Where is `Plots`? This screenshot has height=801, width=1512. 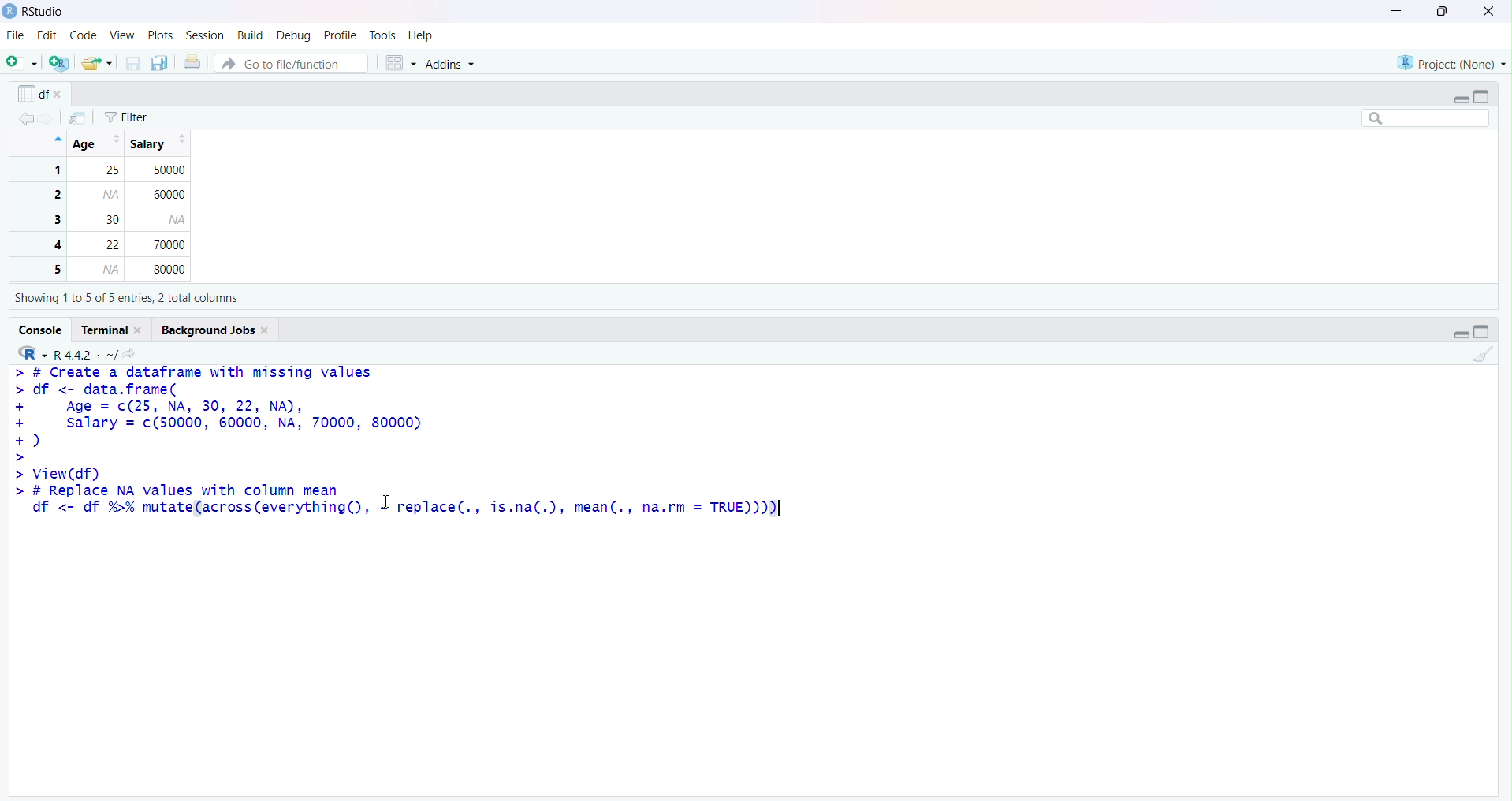 Plots is located at coordinates (158, 35).